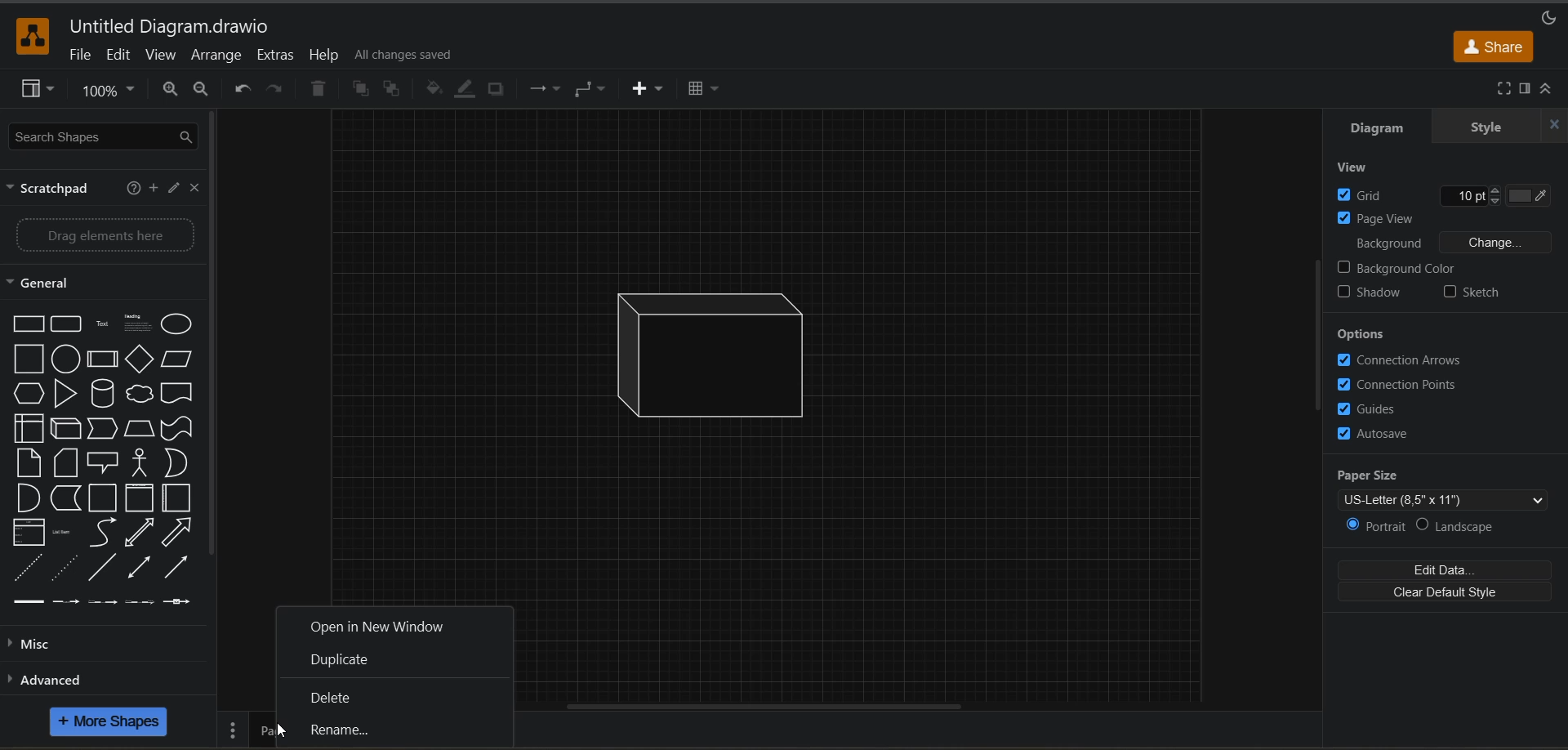 The width and height of the screenshot is (1568, 750). I want to click on all changes saved, so click(406, 53).